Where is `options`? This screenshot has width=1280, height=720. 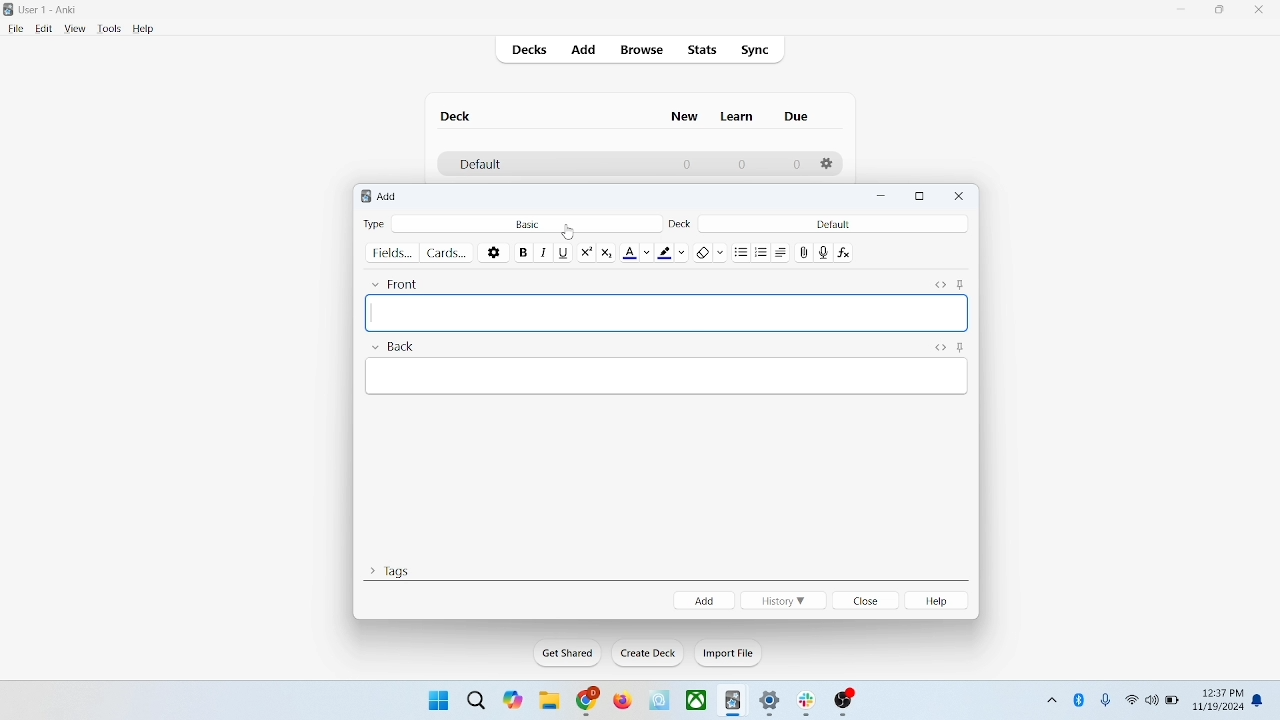 options is located at coordinates (495, 253).